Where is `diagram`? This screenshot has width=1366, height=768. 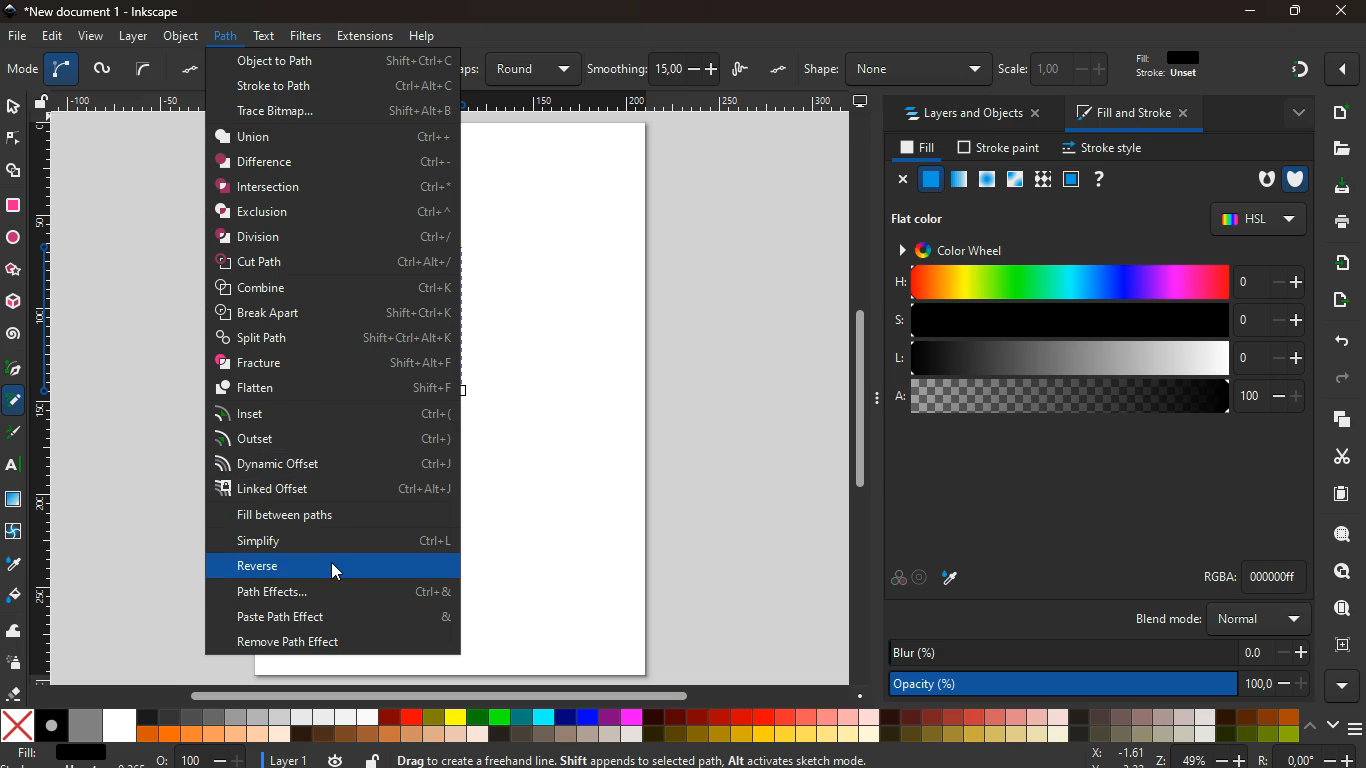
diagram is located at coordinates (1299, 72).